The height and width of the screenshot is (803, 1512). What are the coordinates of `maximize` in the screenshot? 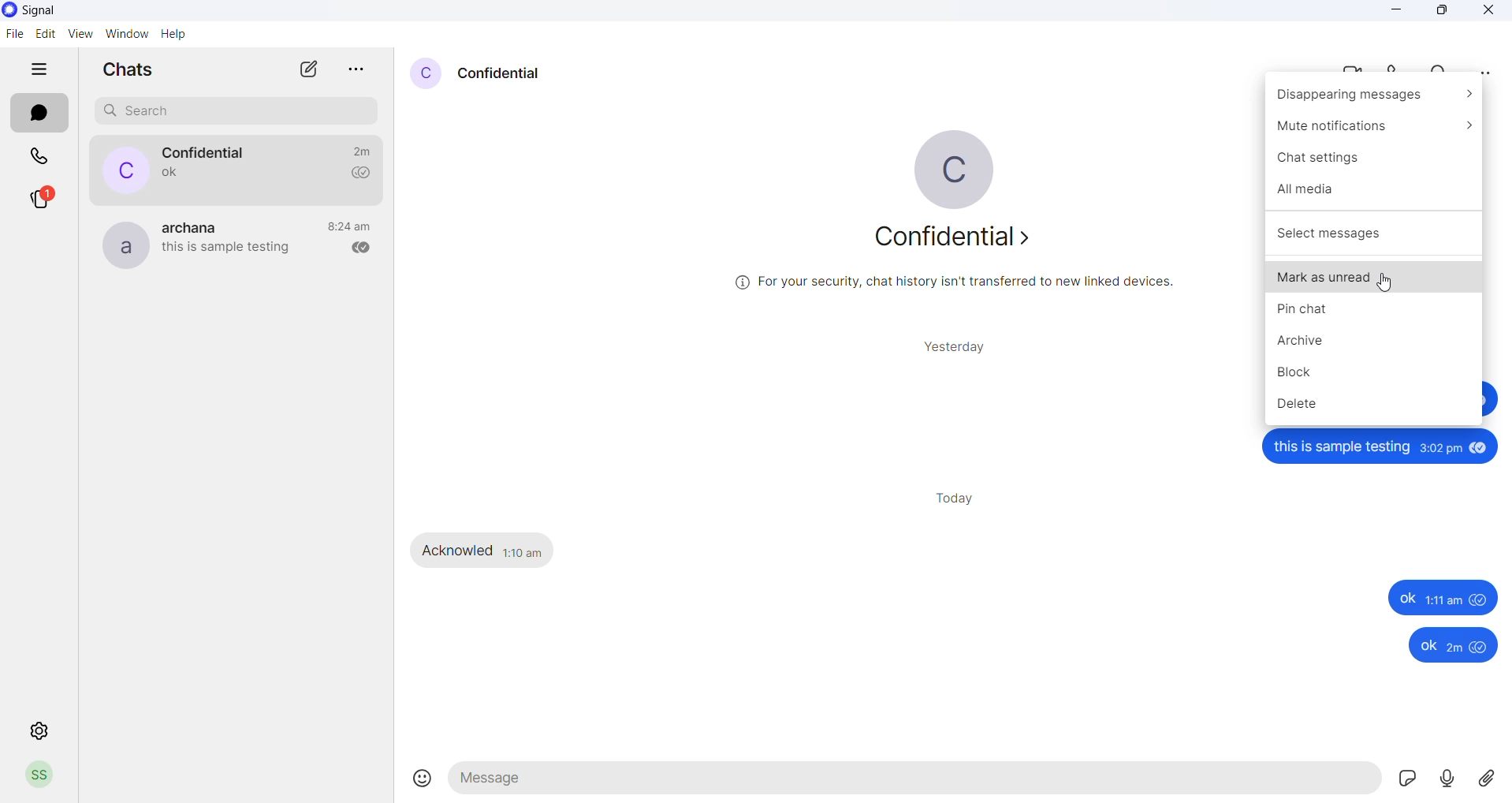 It's located at (1443, 13).